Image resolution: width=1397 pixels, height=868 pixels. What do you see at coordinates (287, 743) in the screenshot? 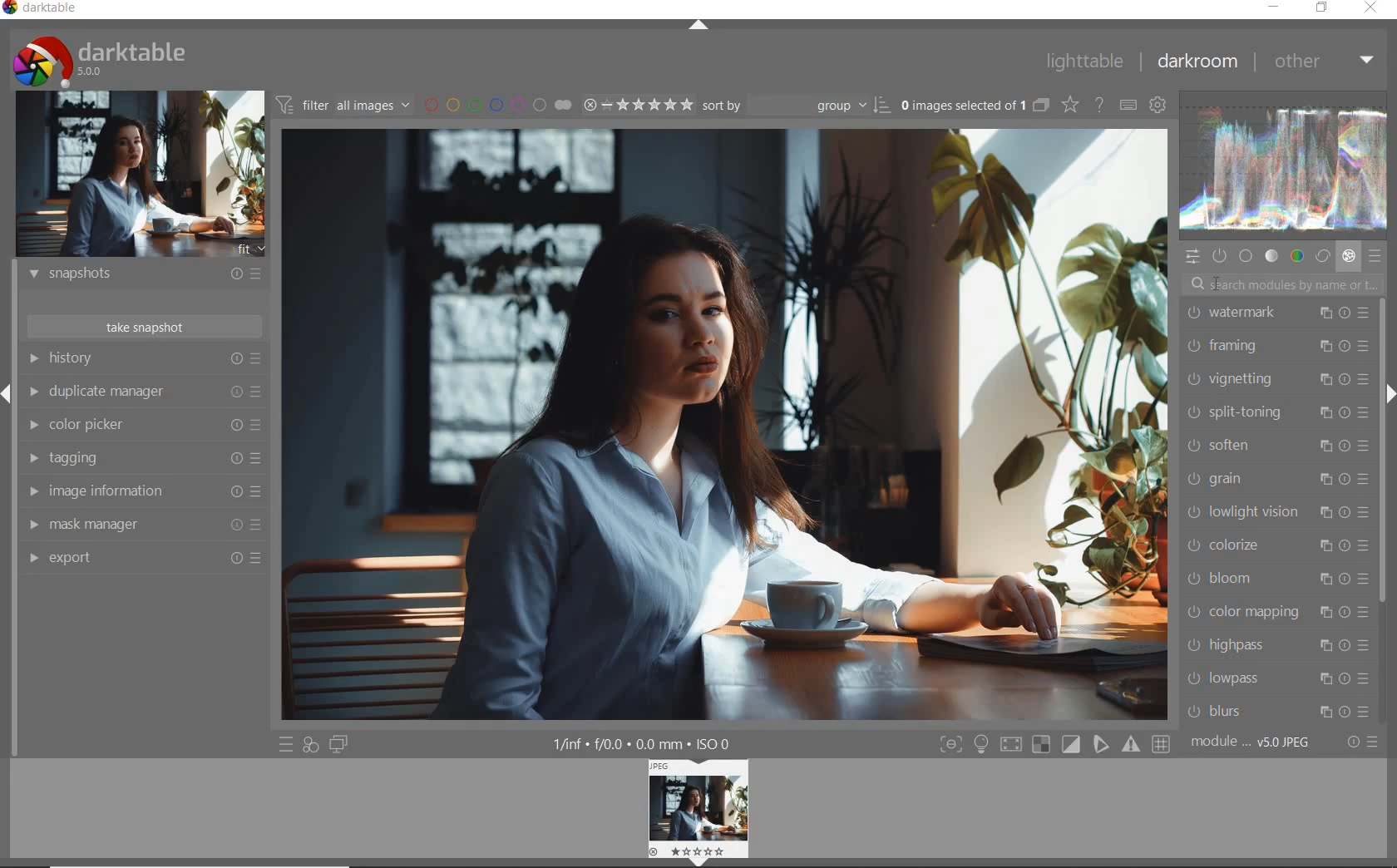
I see `quick access to presets` at bounding box center [287, 743].